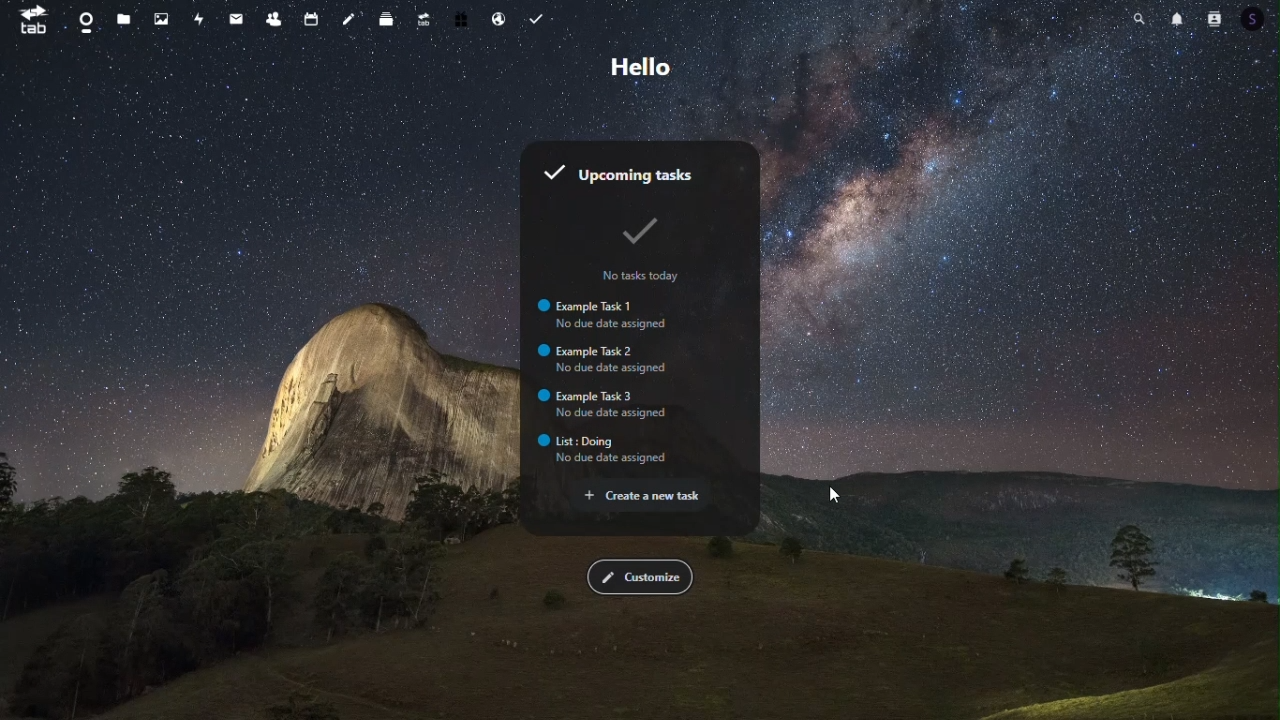 This screenshot has height=720, width=1280. What do you see at coordinates (602, 315) in the screenshot?
I see `Example Task 1` at bounding box center [602, 315].